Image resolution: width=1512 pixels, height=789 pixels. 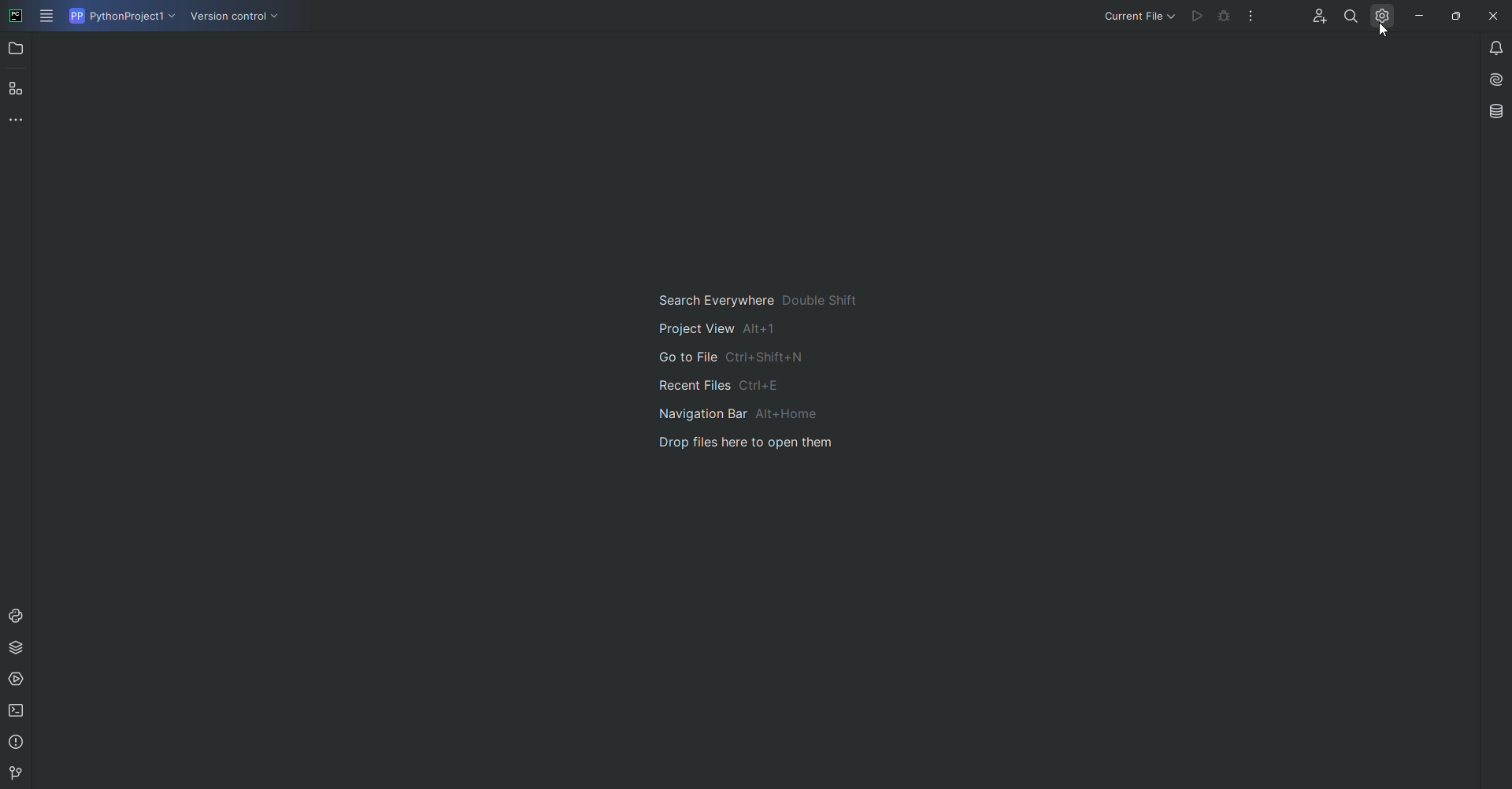 I want to click on Restore, so click(x=1452, y=15).